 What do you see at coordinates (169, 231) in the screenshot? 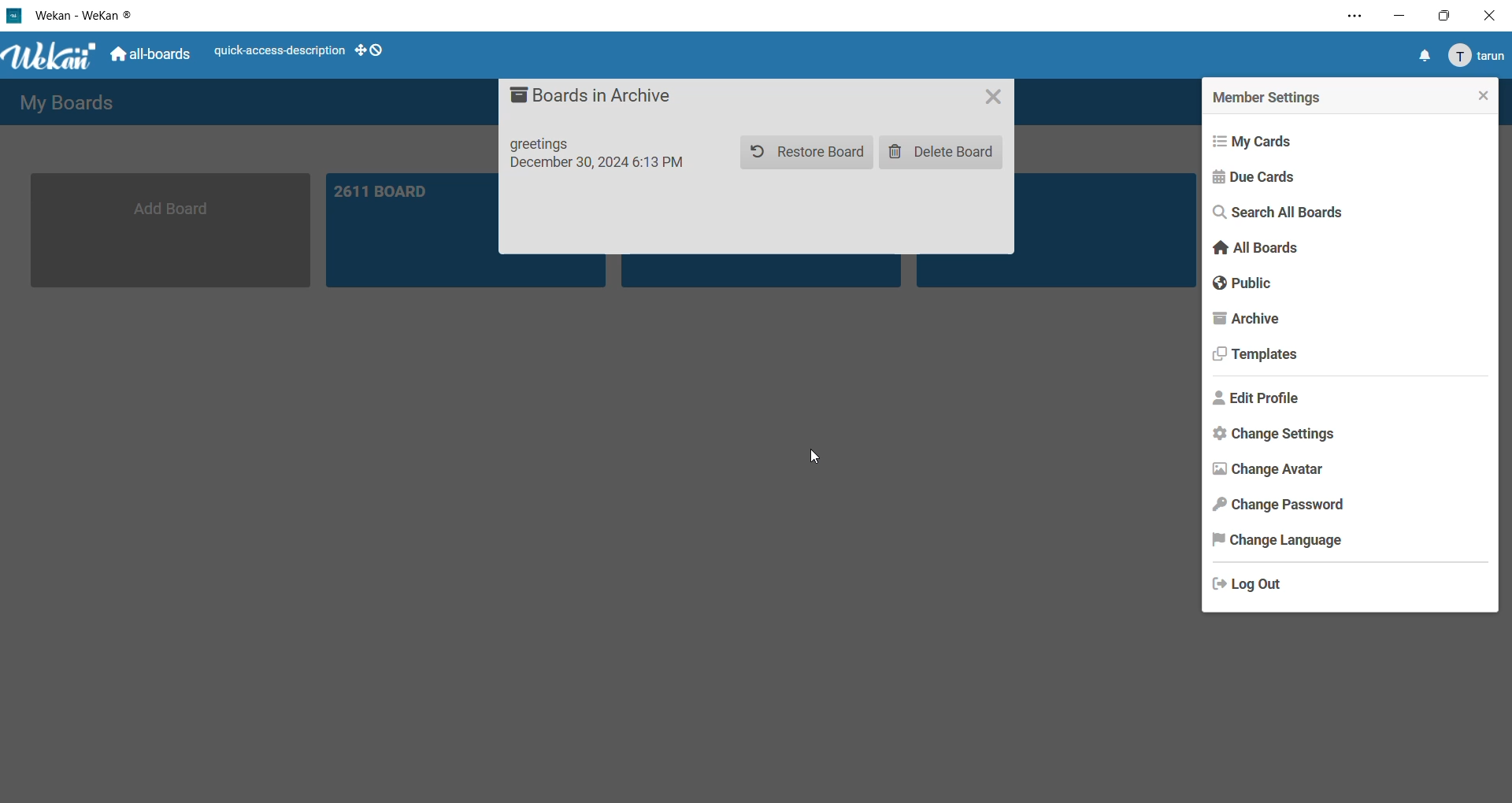
I see `add board` at bounding box center [169, 231].